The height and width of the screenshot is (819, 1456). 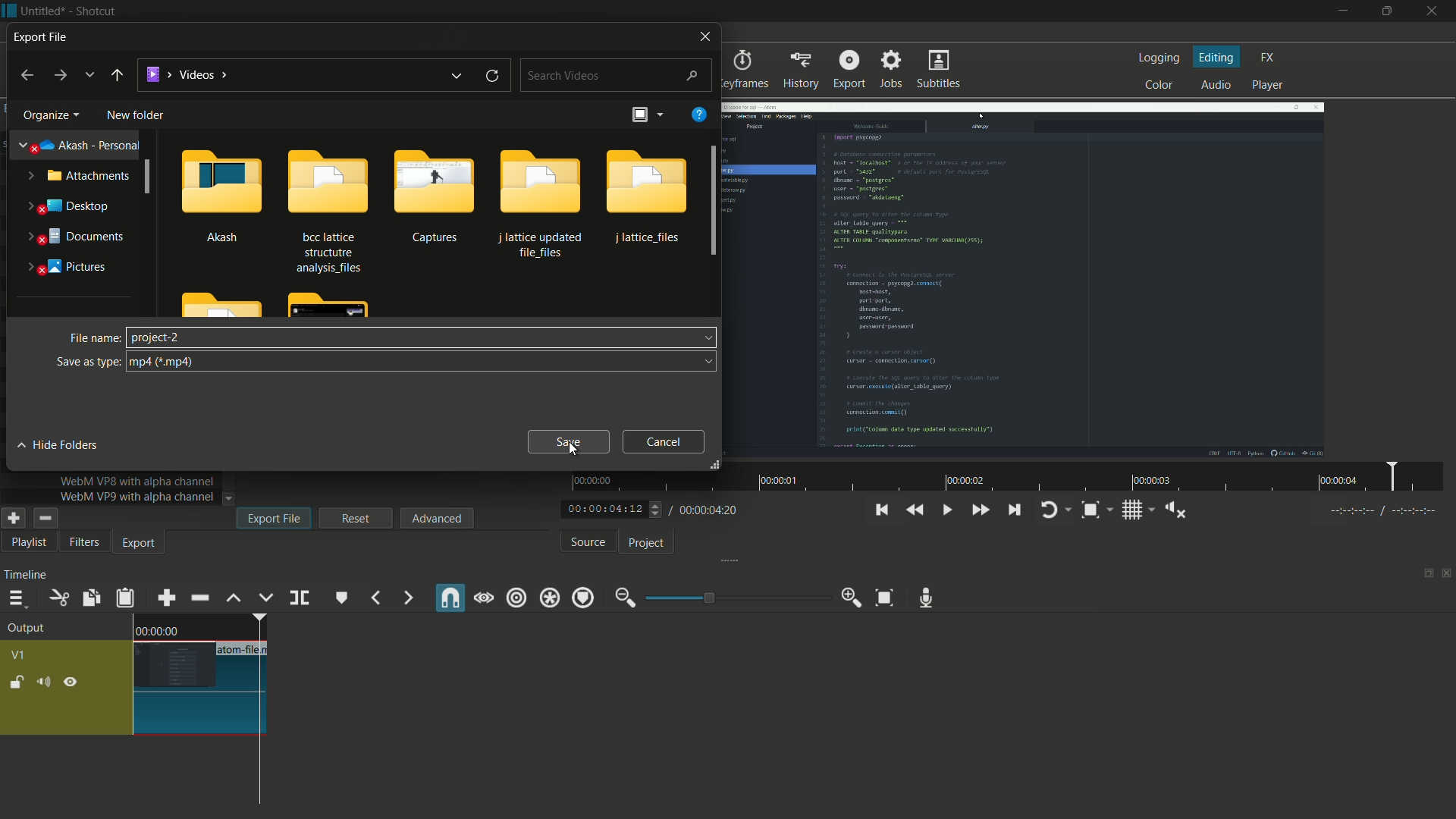 I want to click on save as type, so click(x=89, y=362).